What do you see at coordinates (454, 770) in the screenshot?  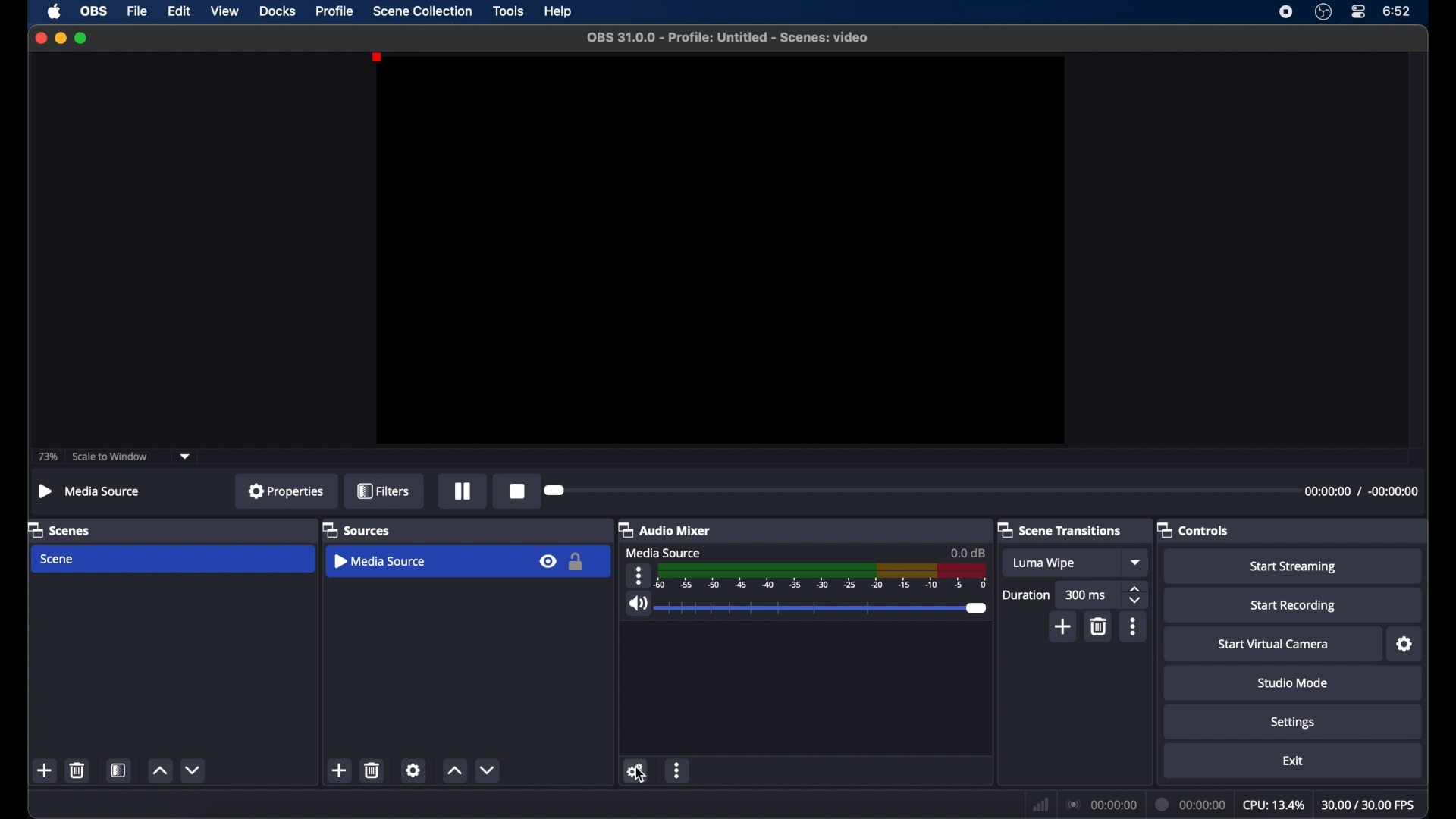 I see `increment` at bounding box center [454, 770].